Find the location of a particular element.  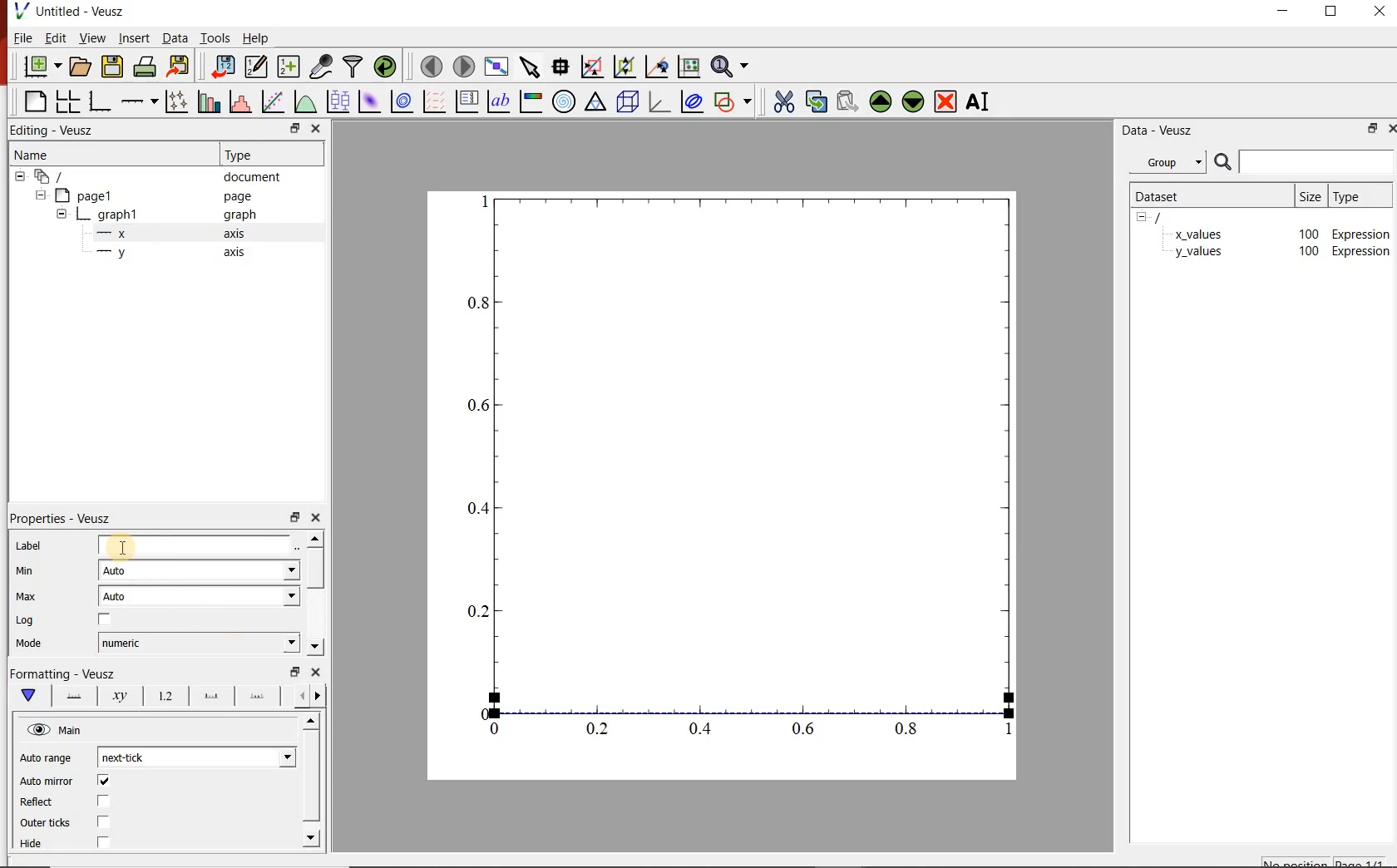

click or draw a rectangle to zoom on graph axes is located at coordinates (592, 67).